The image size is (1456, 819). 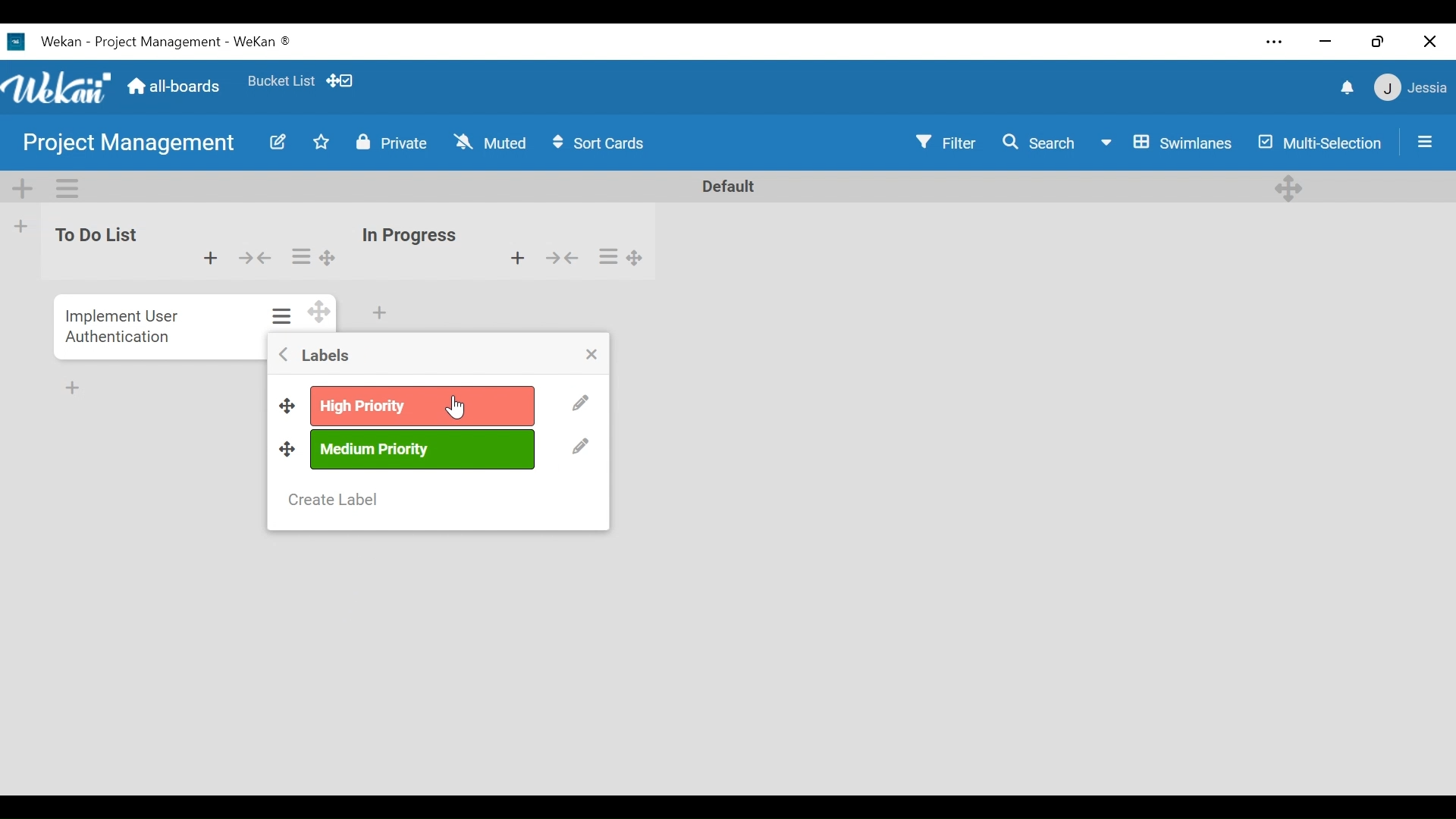 What do you see at coordinates (396, 143) in the screenshot?
I see `Private` at bounding box center [396, 143].